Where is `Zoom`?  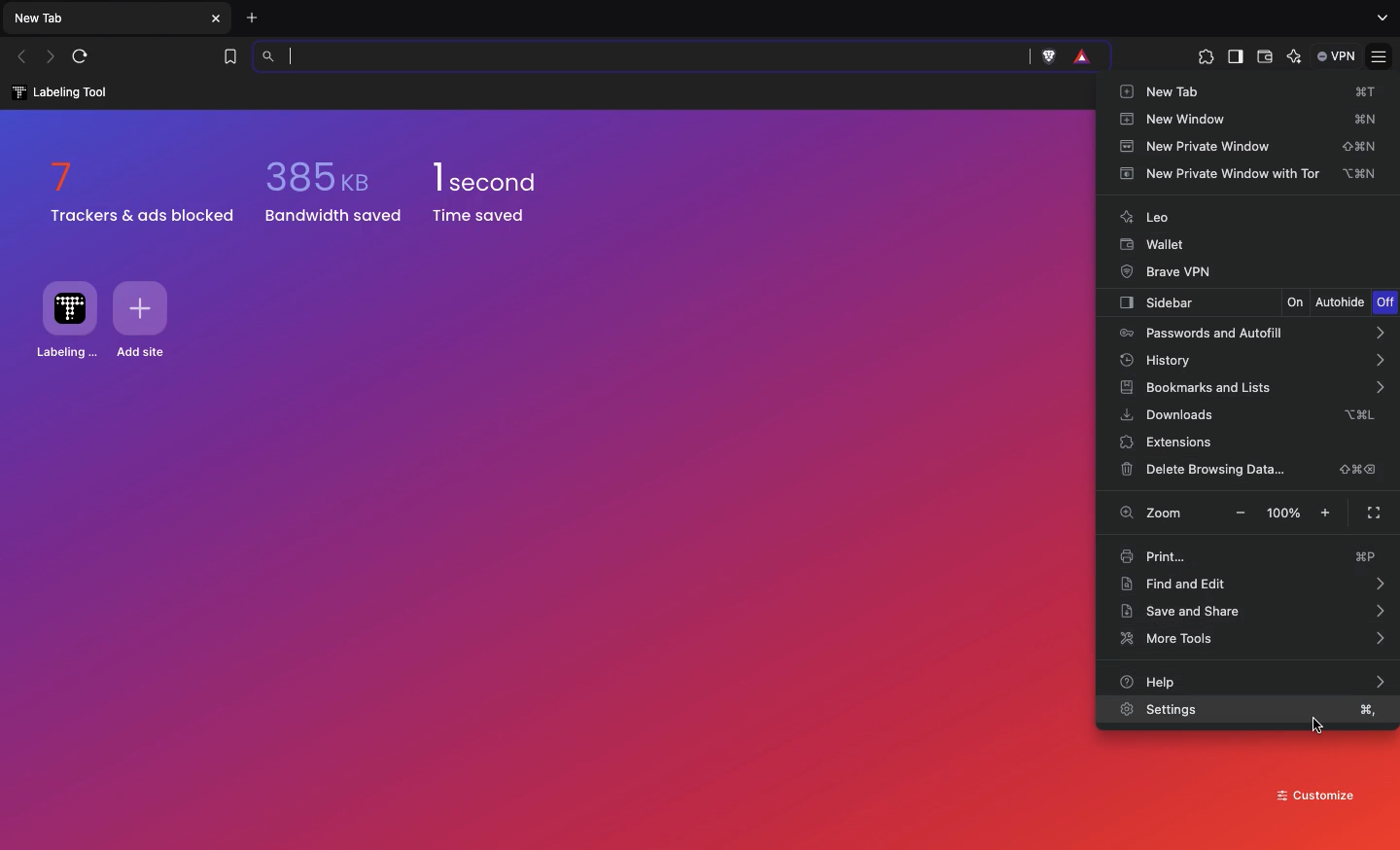
Zoom is located at coordinates (1150, 514).